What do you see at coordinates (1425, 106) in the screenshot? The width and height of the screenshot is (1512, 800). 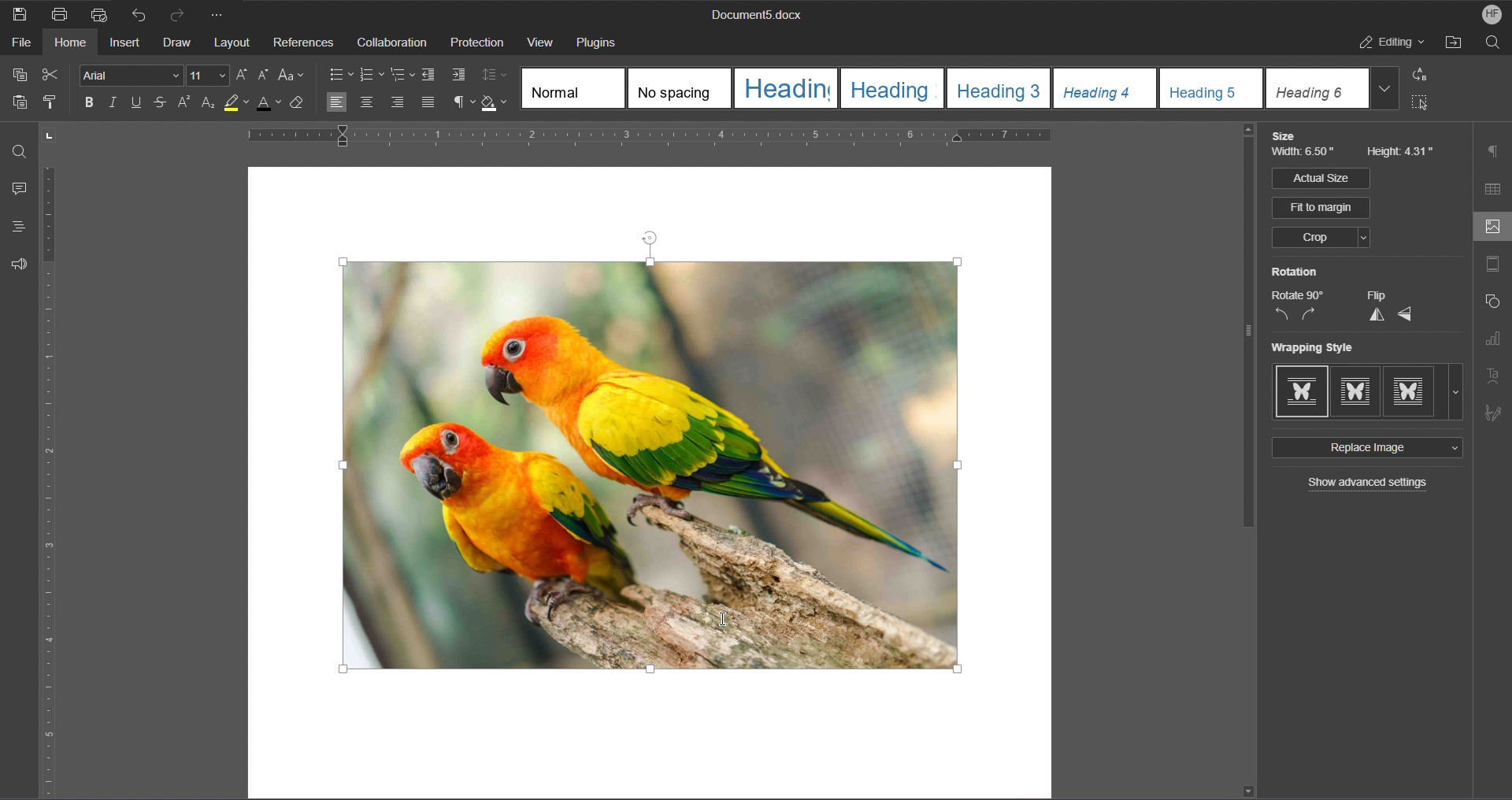 I see `Select All` at bounding box center [1425, 106].